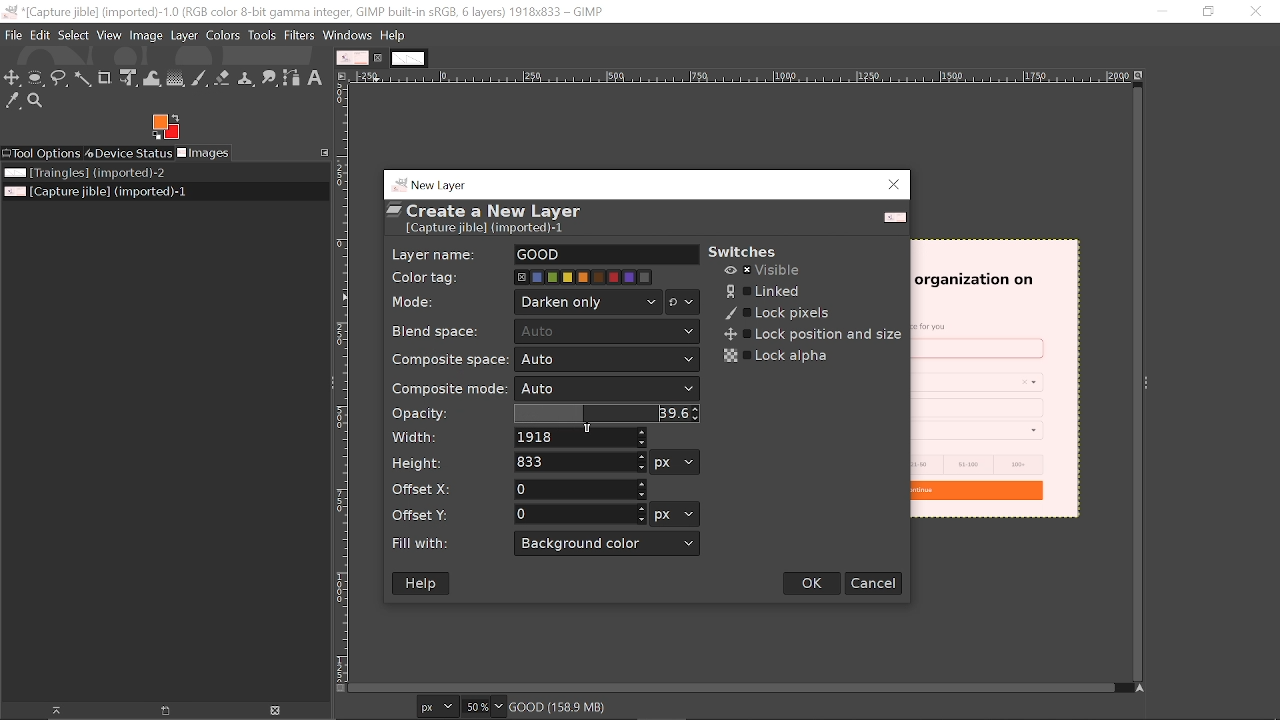  I want to click on Crop text, so click(105, 77).